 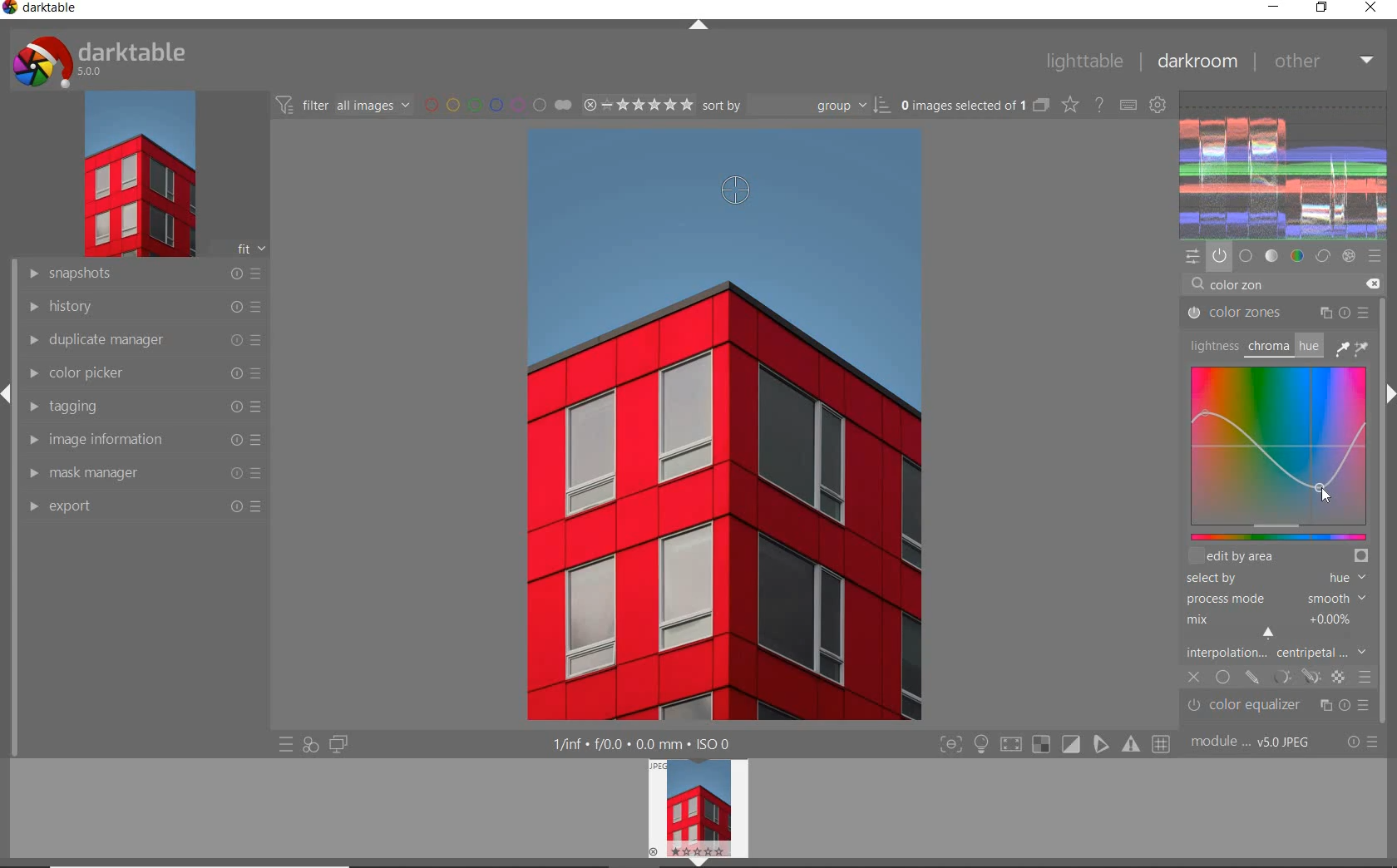 What do you see at coordinates (1194, 678) in the screenshot?
I see `CLOSE` at bounding box center [1194, 678].